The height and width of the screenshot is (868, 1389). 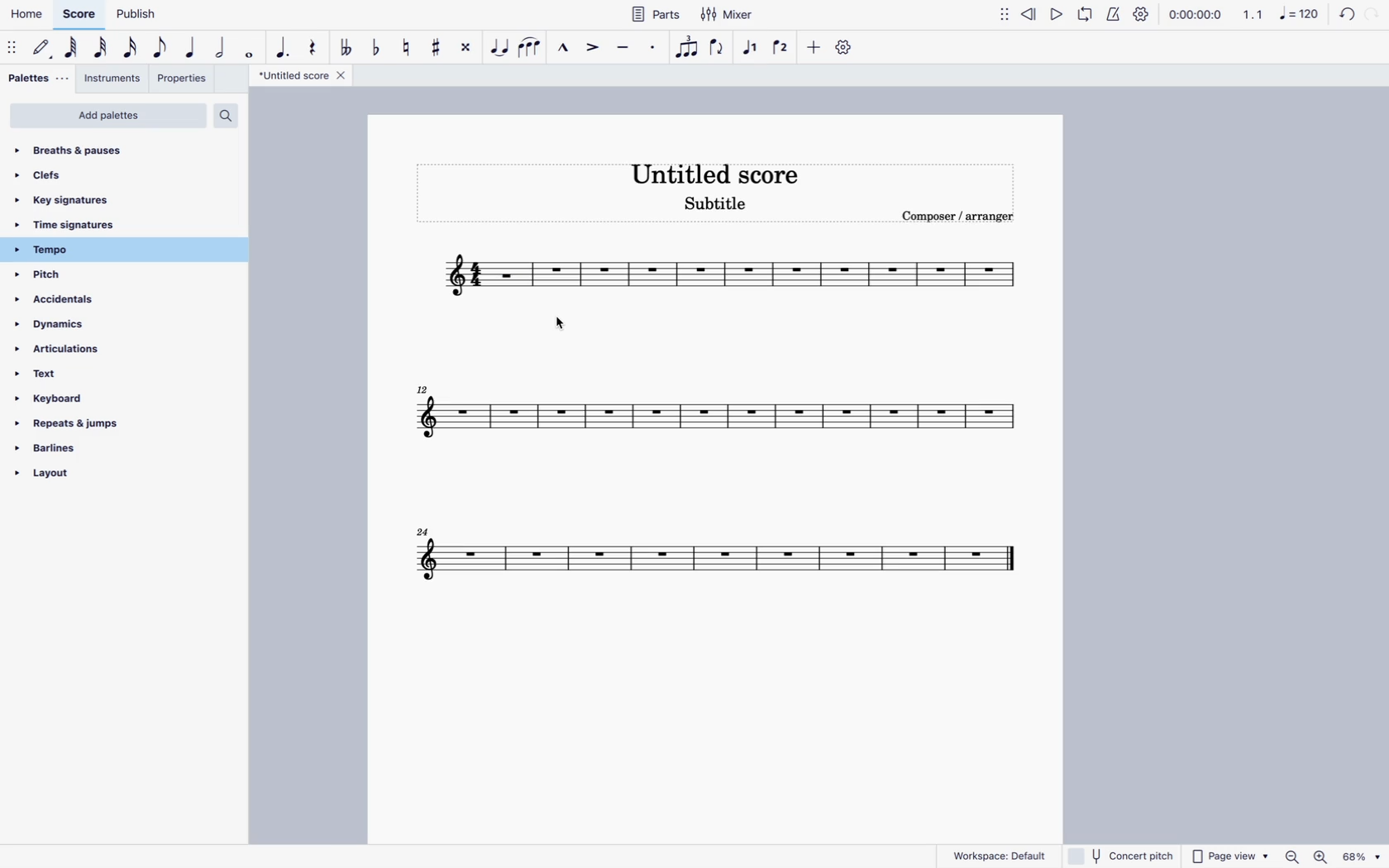 What do you see at coordinates (43, 48) in the screenshot?
I see `default` at bounding box center [43, 48].